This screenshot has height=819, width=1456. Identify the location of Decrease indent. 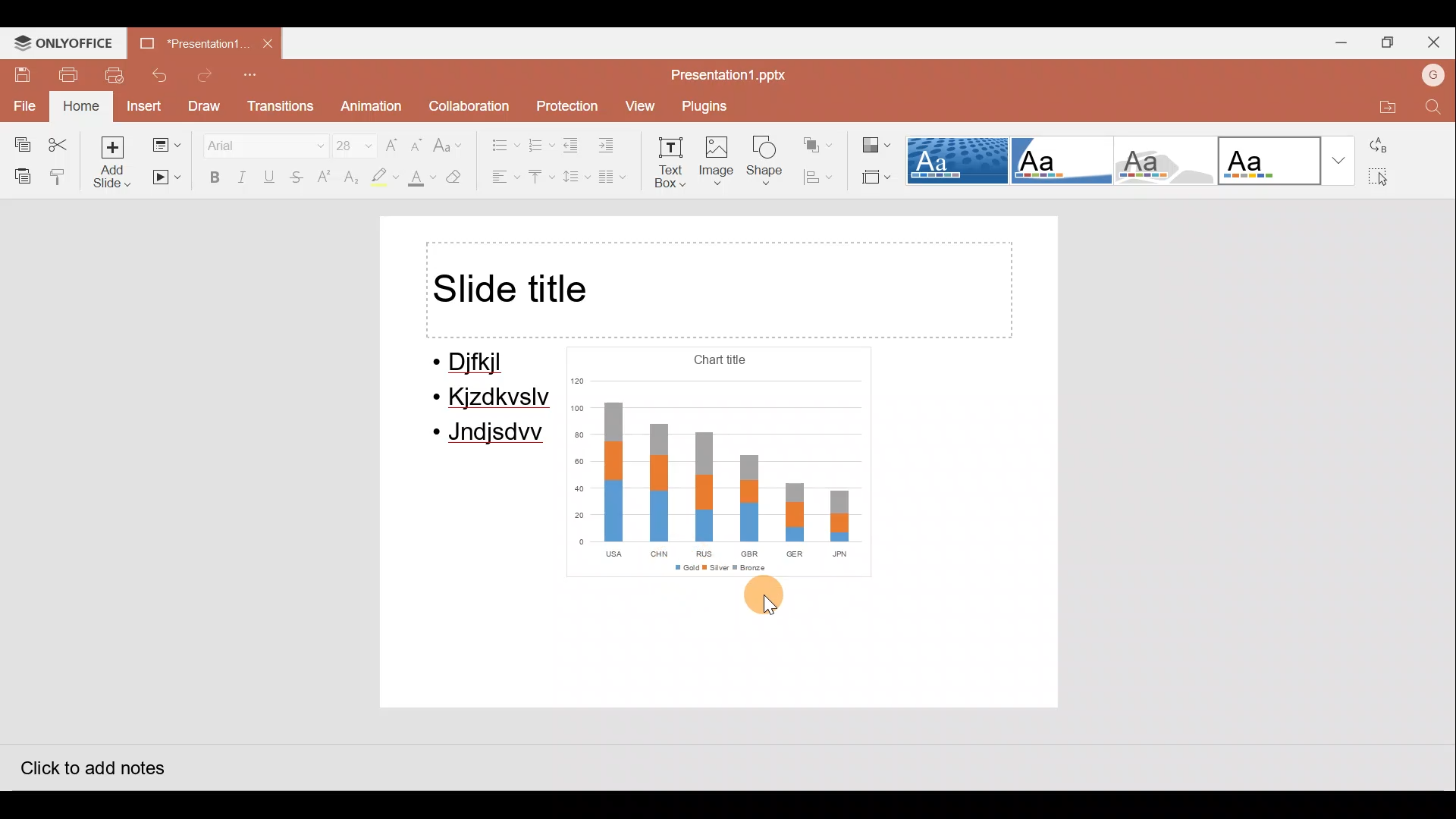
(573, 145).